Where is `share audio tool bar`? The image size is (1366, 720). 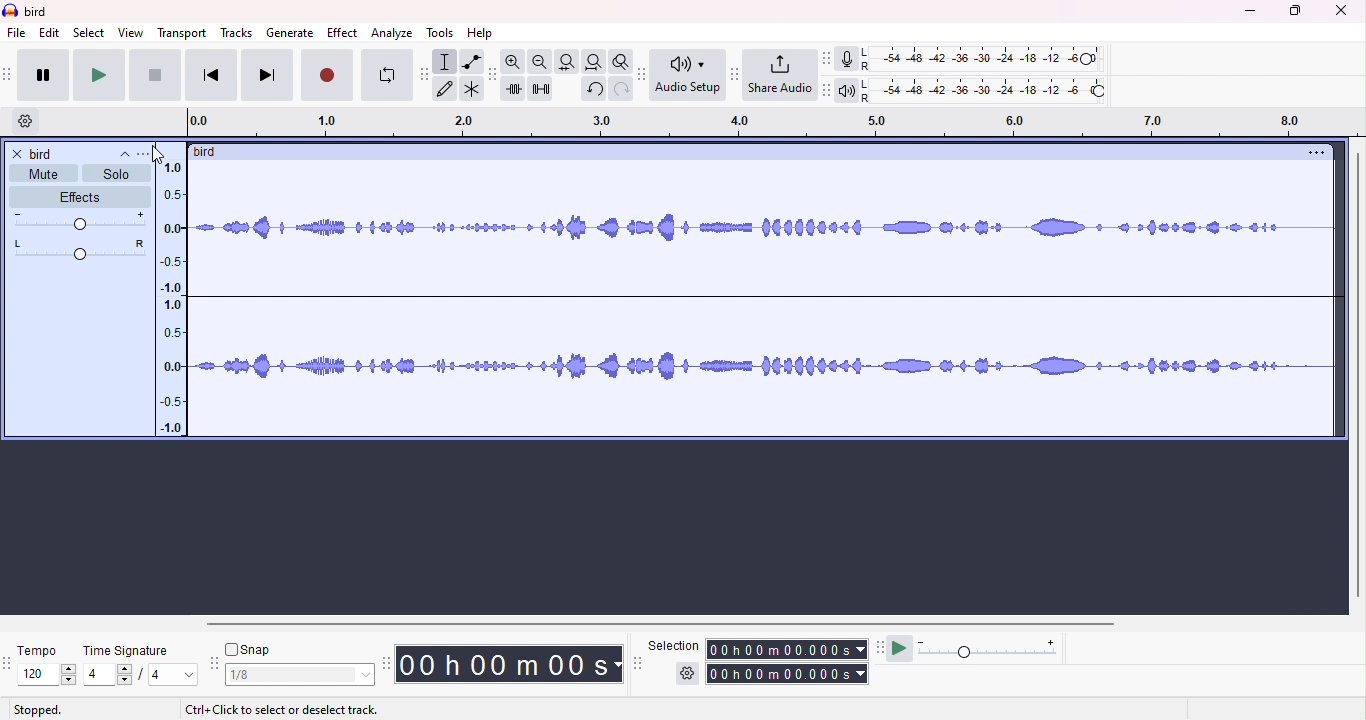
share audio tool bar is located at coordinates (733, 74).